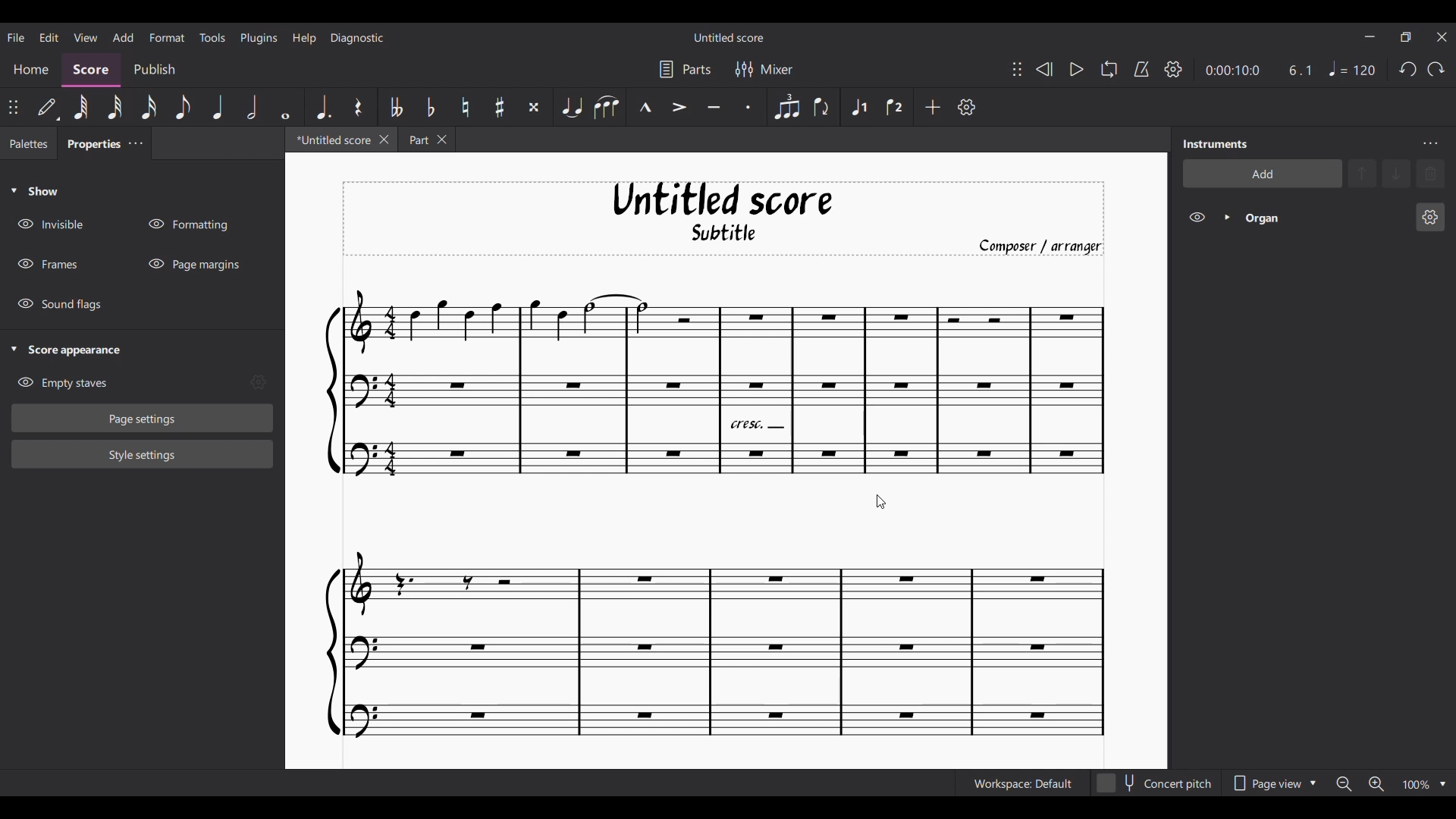 The height and width of the screenshot is (819, 1456). I want to click on Add, so click(932, 106).